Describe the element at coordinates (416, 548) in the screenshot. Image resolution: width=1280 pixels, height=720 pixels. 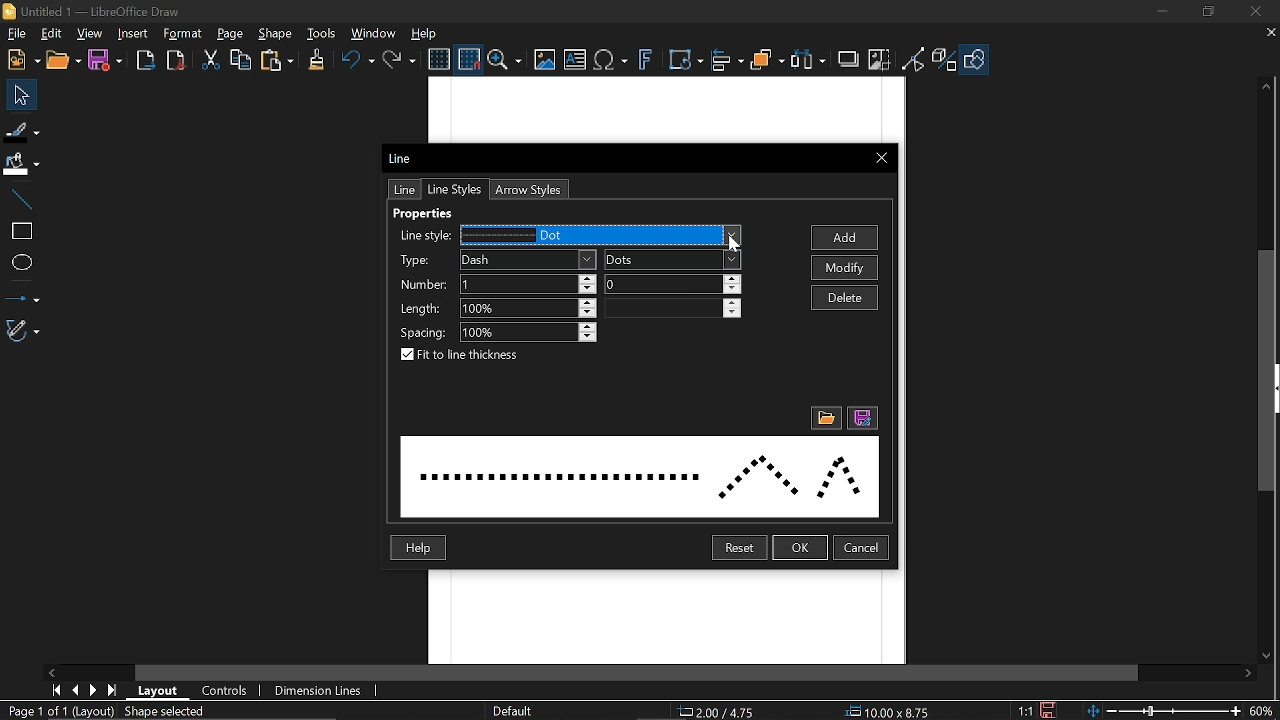
I see `Help` at that location.